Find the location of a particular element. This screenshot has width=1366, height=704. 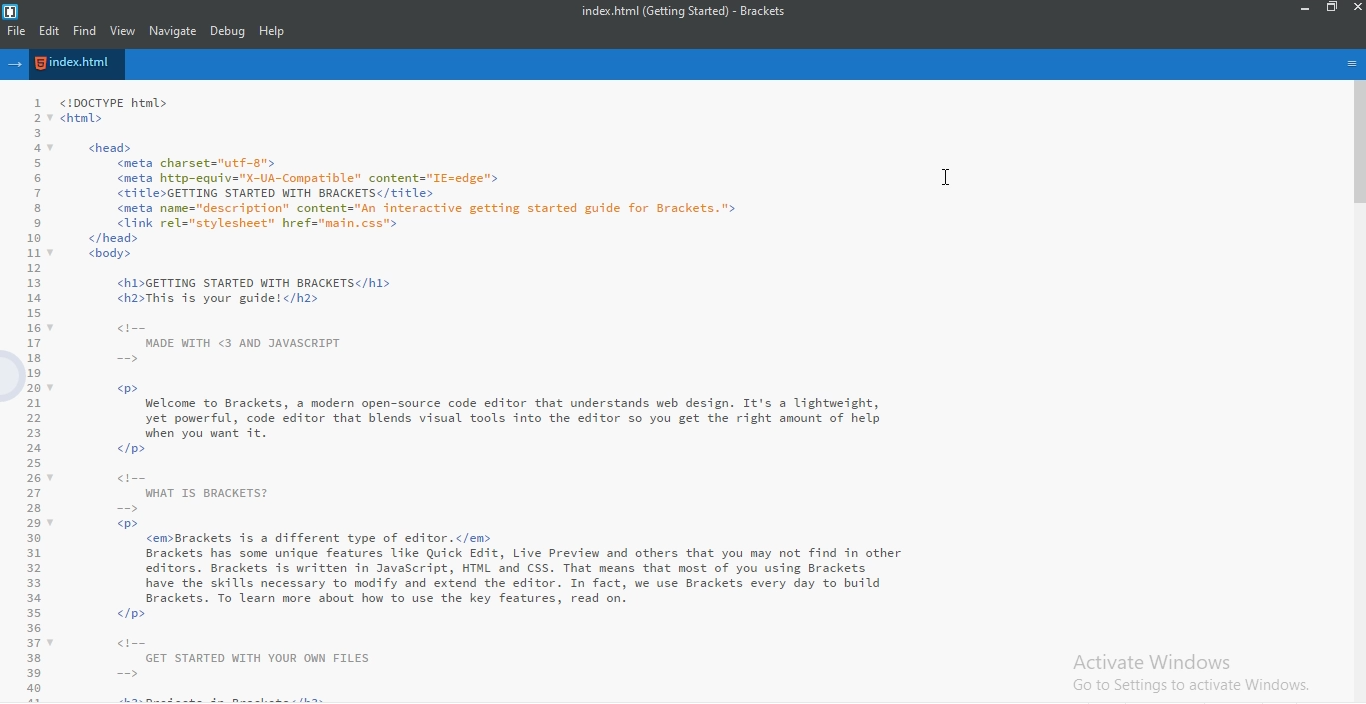

file is located at coordinates (15, 31).